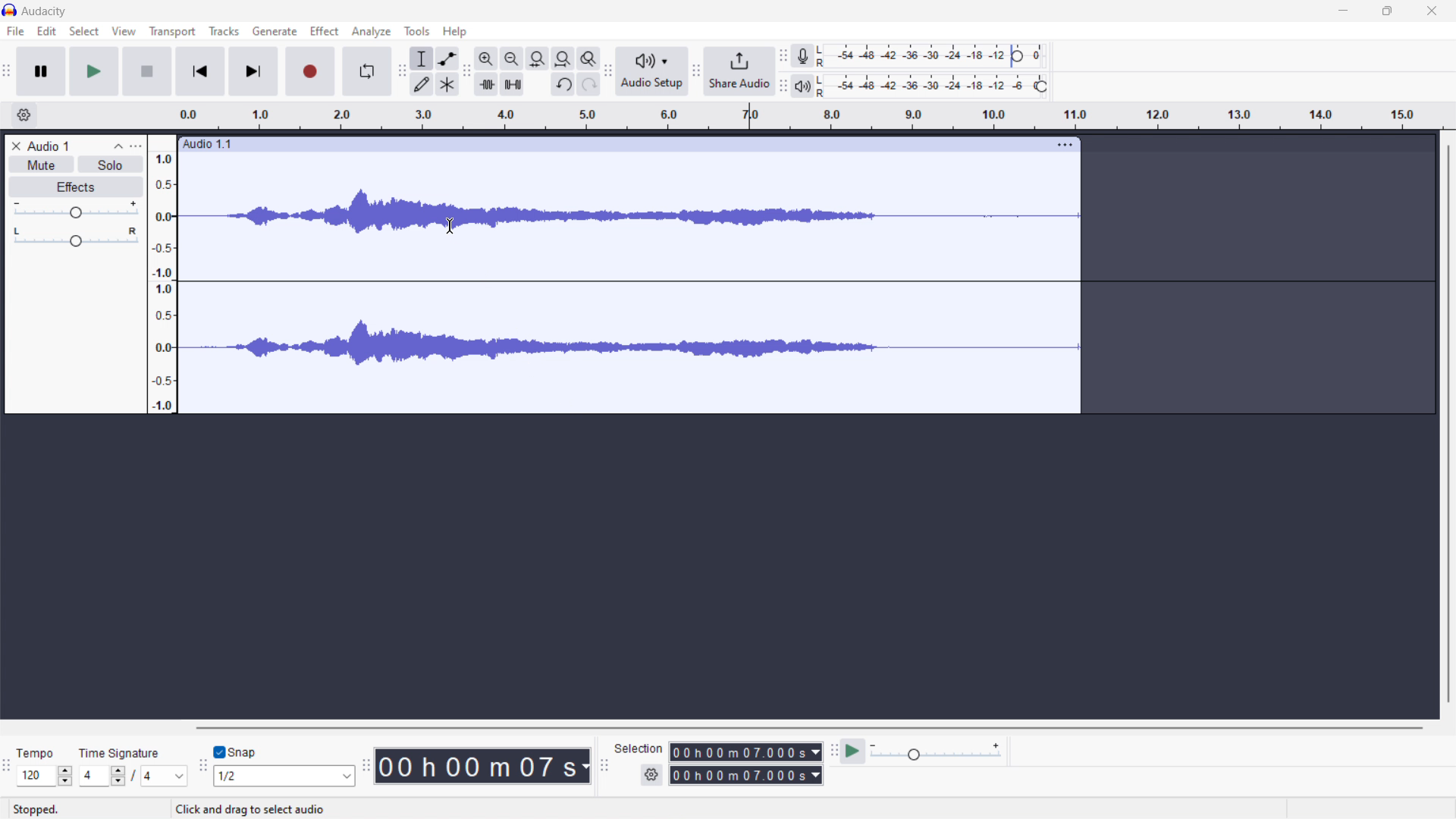 The image size is (1456, 819). What do you see at coordinates (41, 165) in the screenshot?
I see `mute` at bounding box center [41, 165].